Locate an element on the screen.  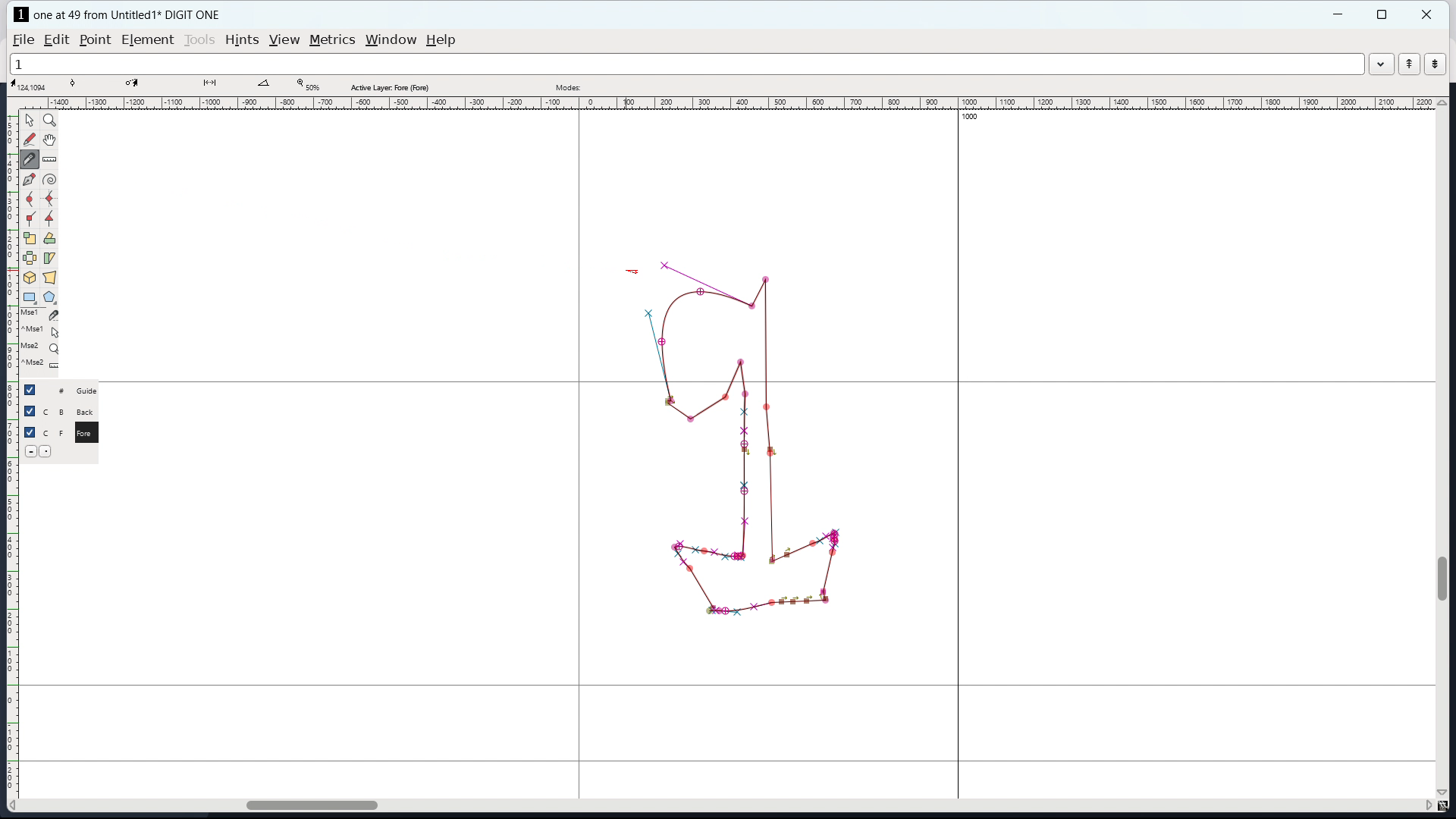
is layer visible is located at coordinates (29, 411).